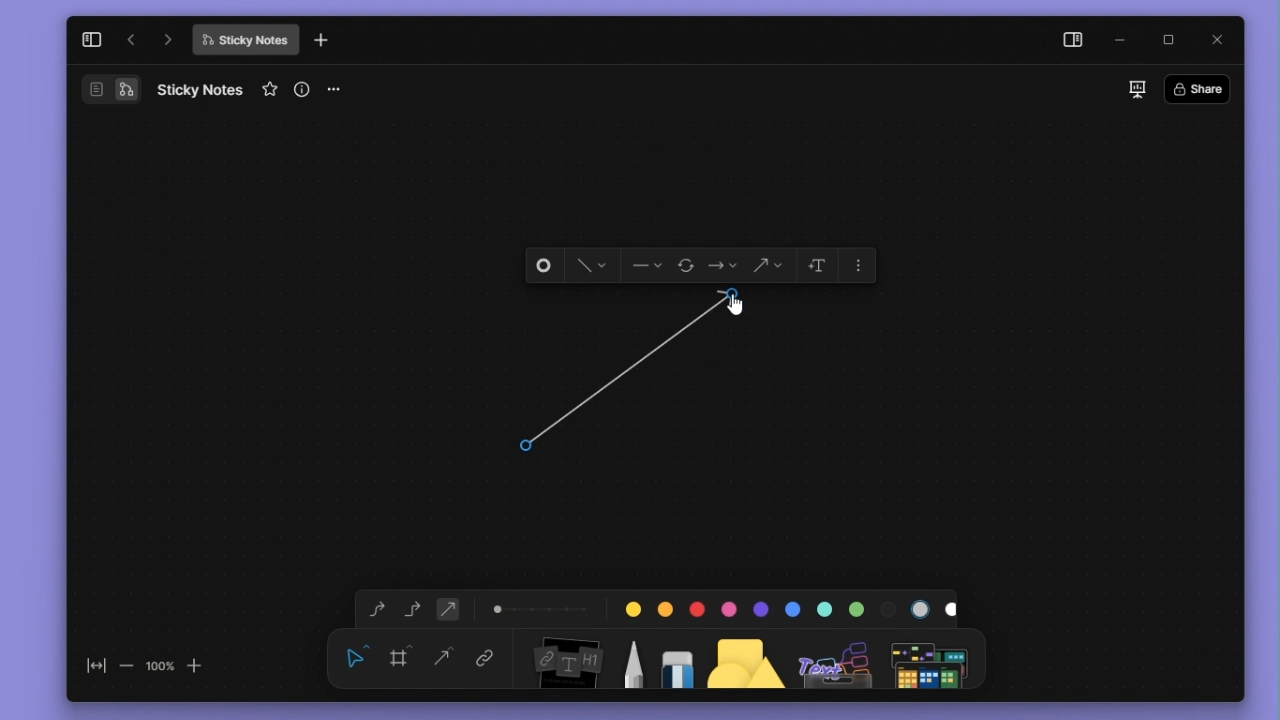 Image resolution: width=1280 pixels, height=720 pixels. I want to click on file name, so click(200, 89).